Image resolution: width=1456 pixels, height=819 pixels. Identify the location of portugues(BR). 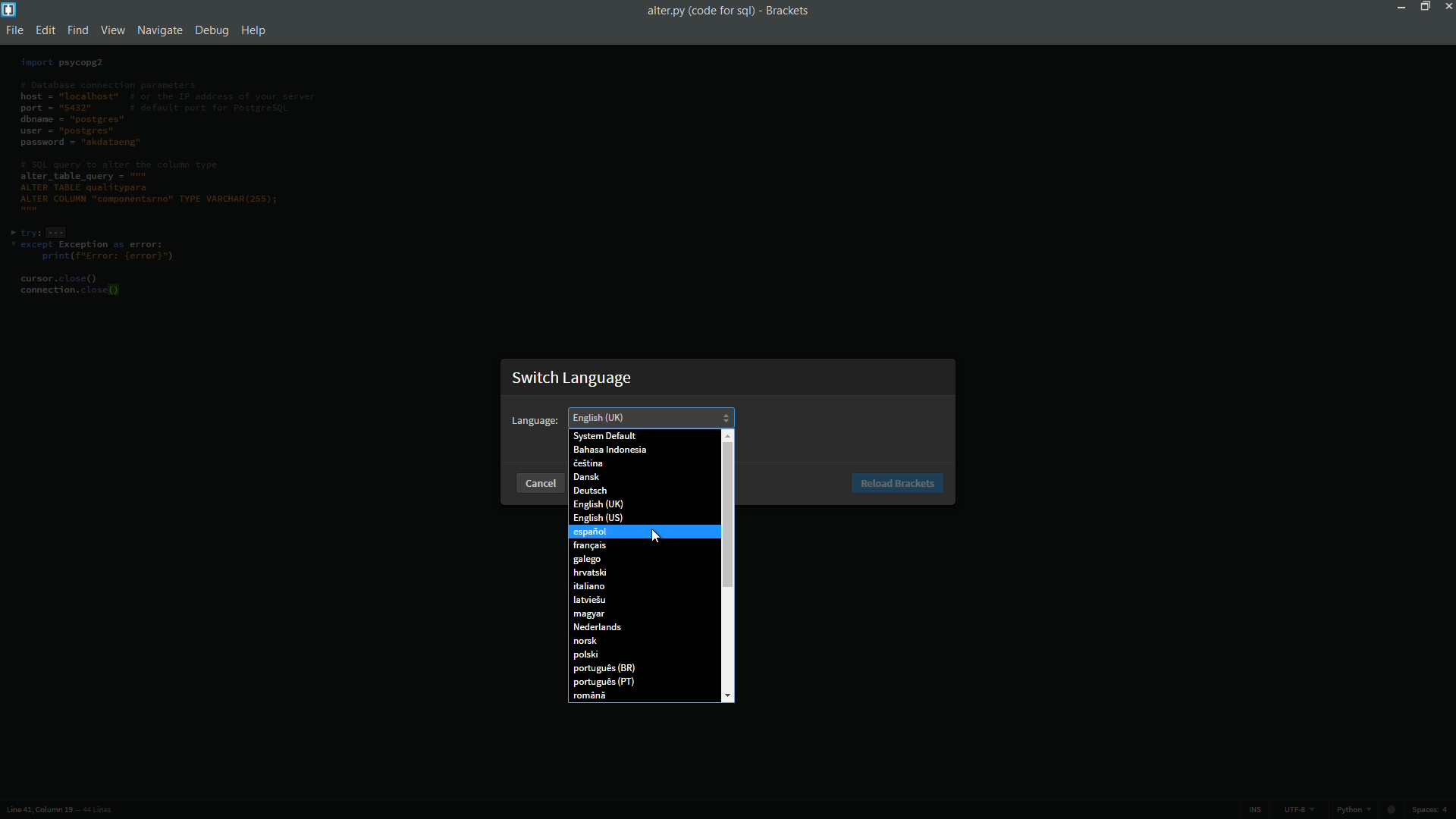
(644, 670).